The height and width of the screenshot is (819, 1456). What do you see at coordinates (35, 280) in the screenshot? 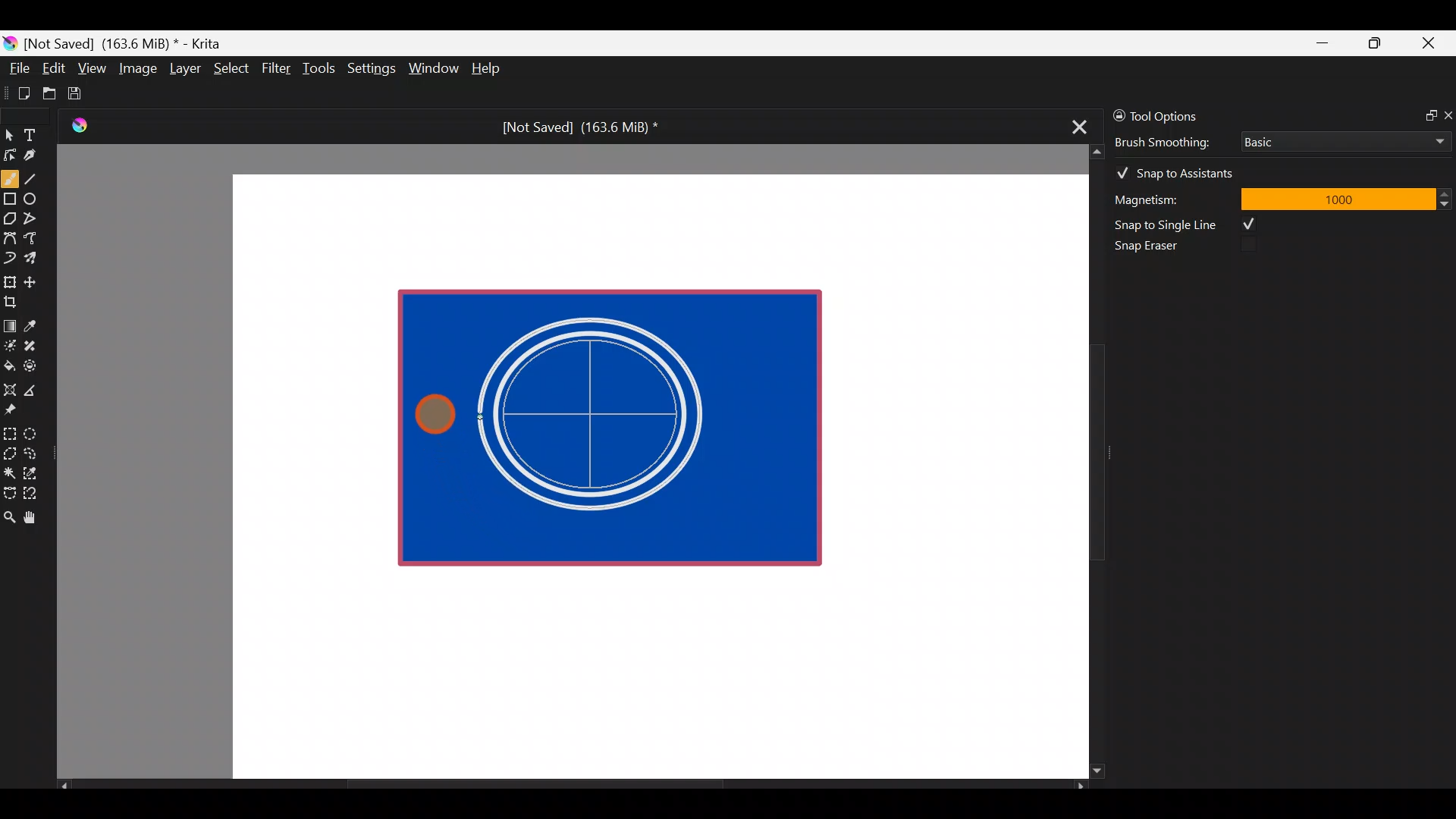
I see `Move a layer` at bounding box center [35, 280].